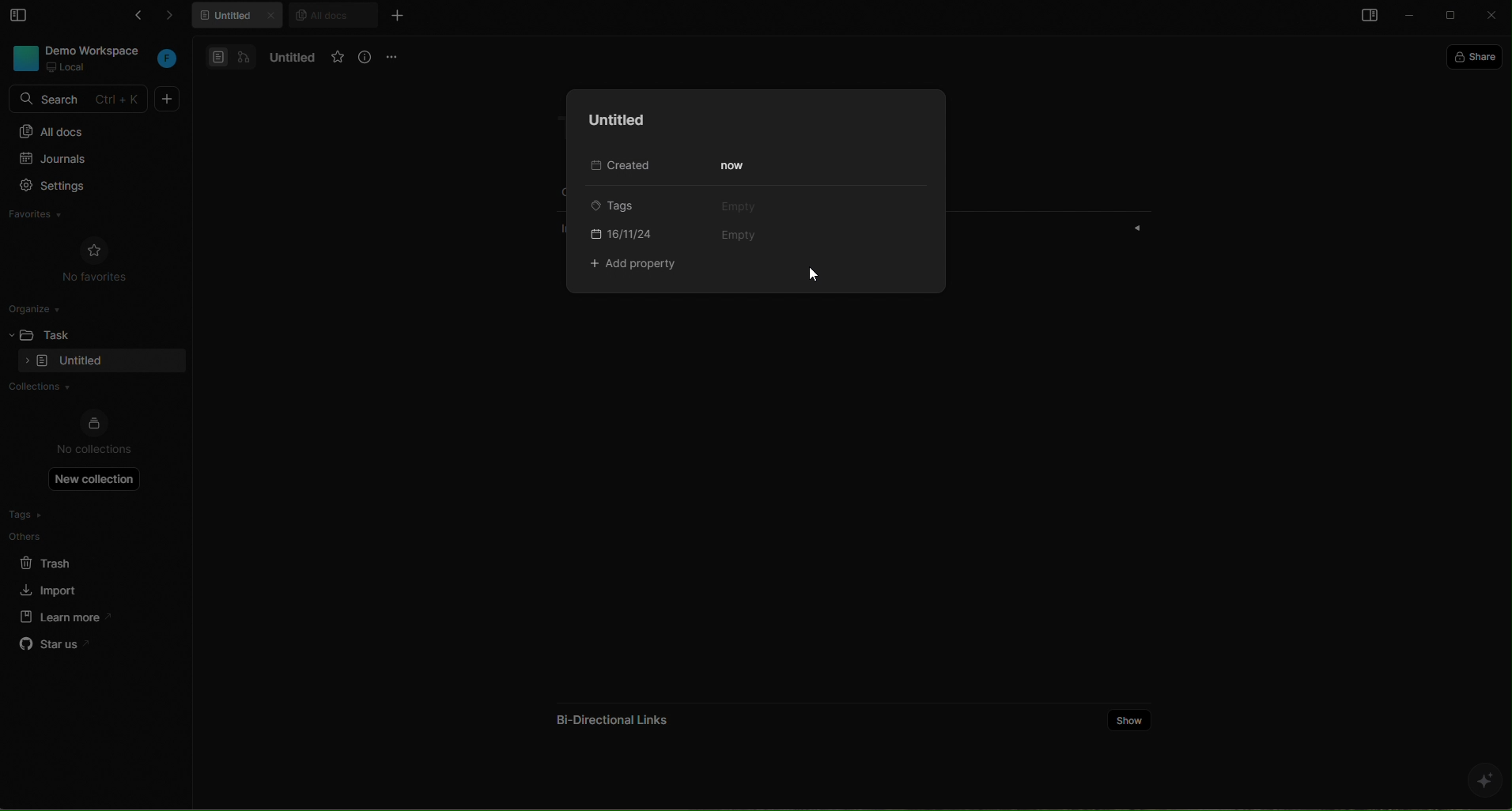 The image size is (1512, 811). I want to click on local, so click(68, 67).